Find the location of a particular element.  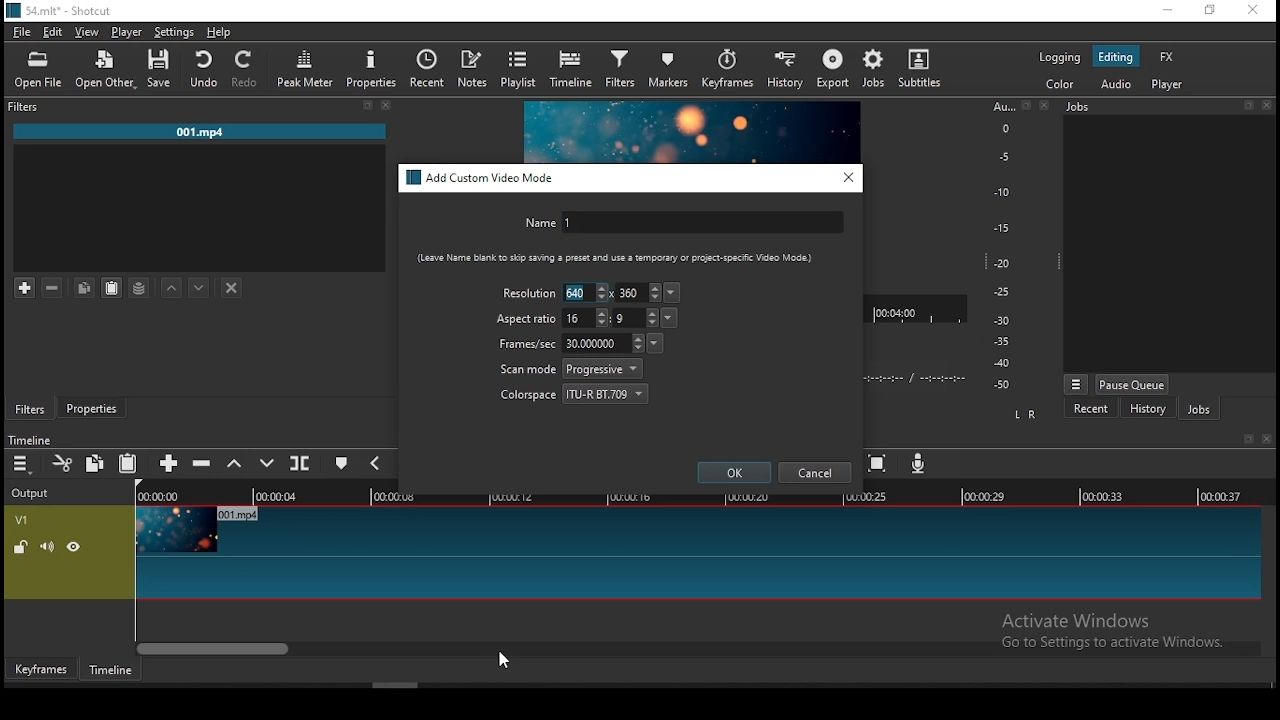

remove selected filters is located at coordinates (53, 288).